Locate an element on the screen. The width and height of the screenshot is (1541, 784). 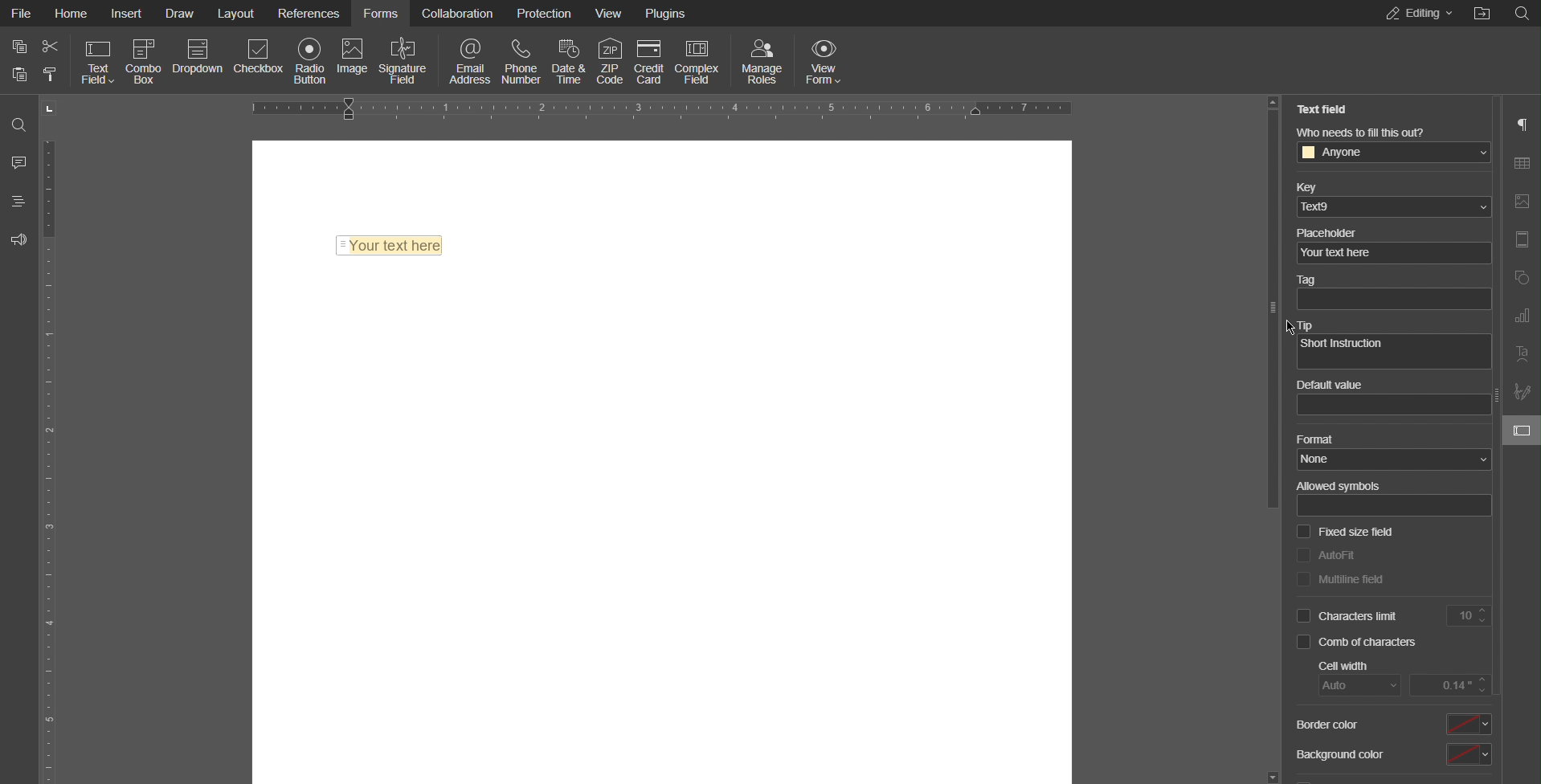
View is located at coordinates (611, 12).